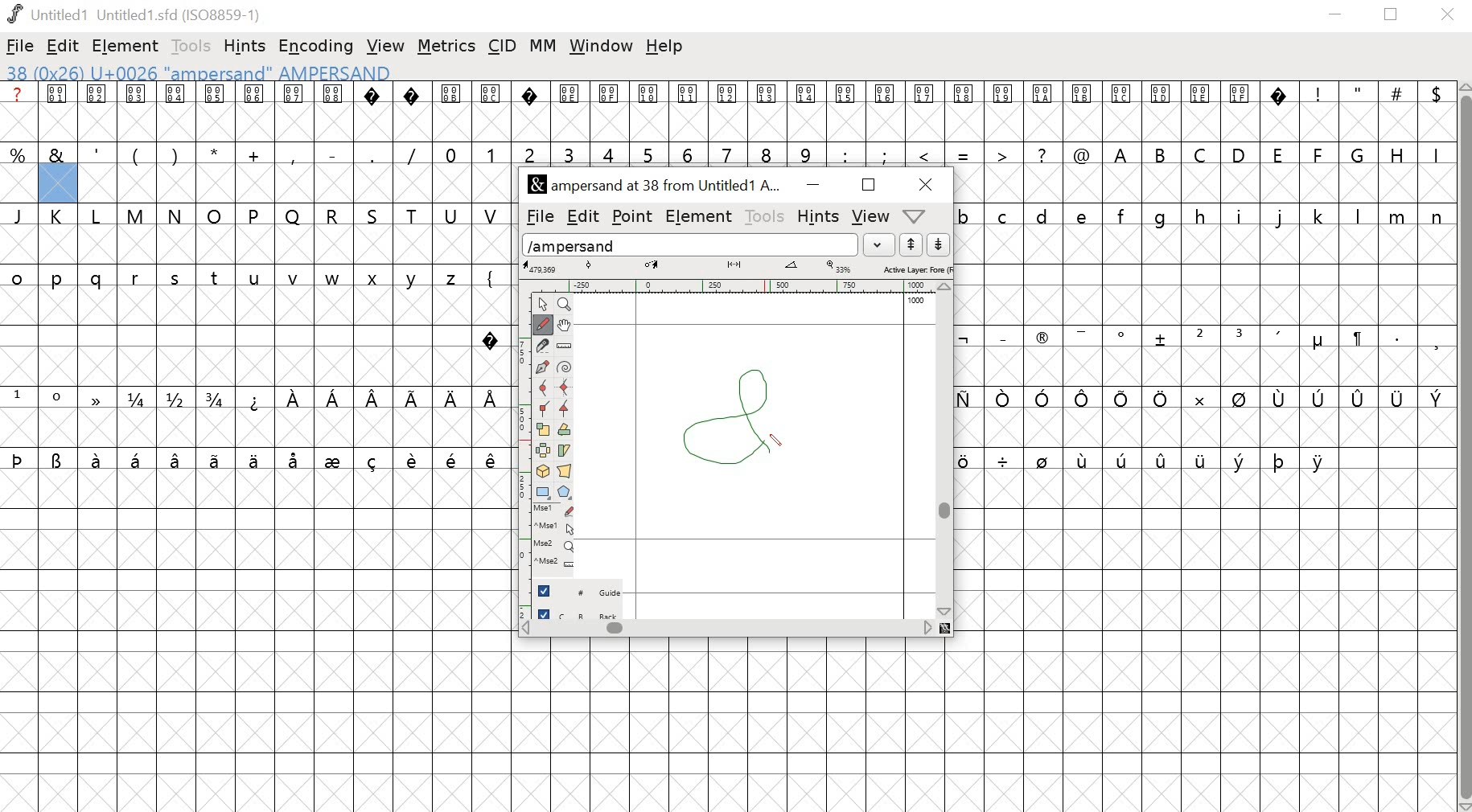 This screenshot has height=812, width=1472. Describe the element at coordinates (966, 215) in the screenshot. I see `b` at that location.